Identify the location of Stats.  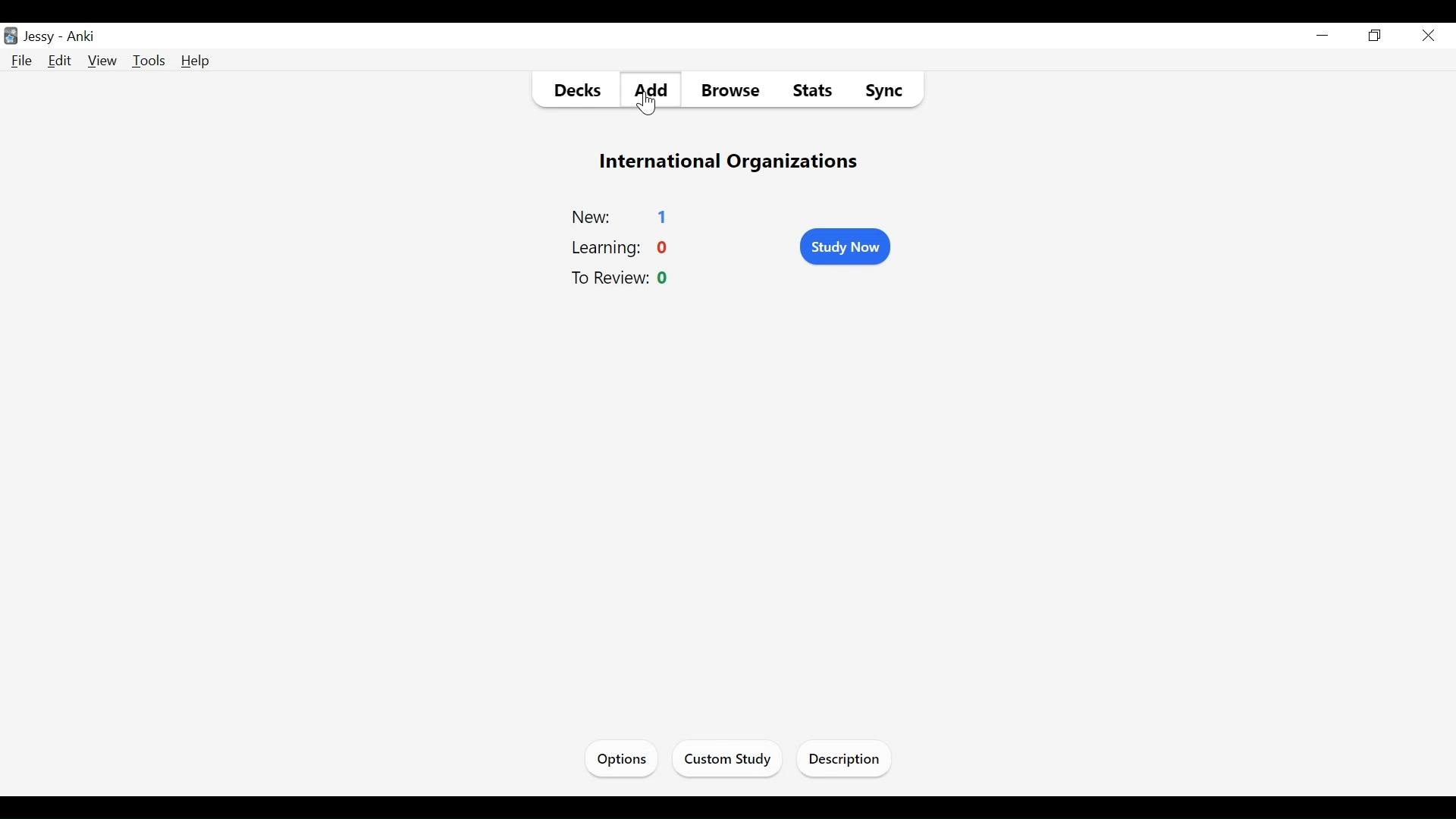
(813, 89).